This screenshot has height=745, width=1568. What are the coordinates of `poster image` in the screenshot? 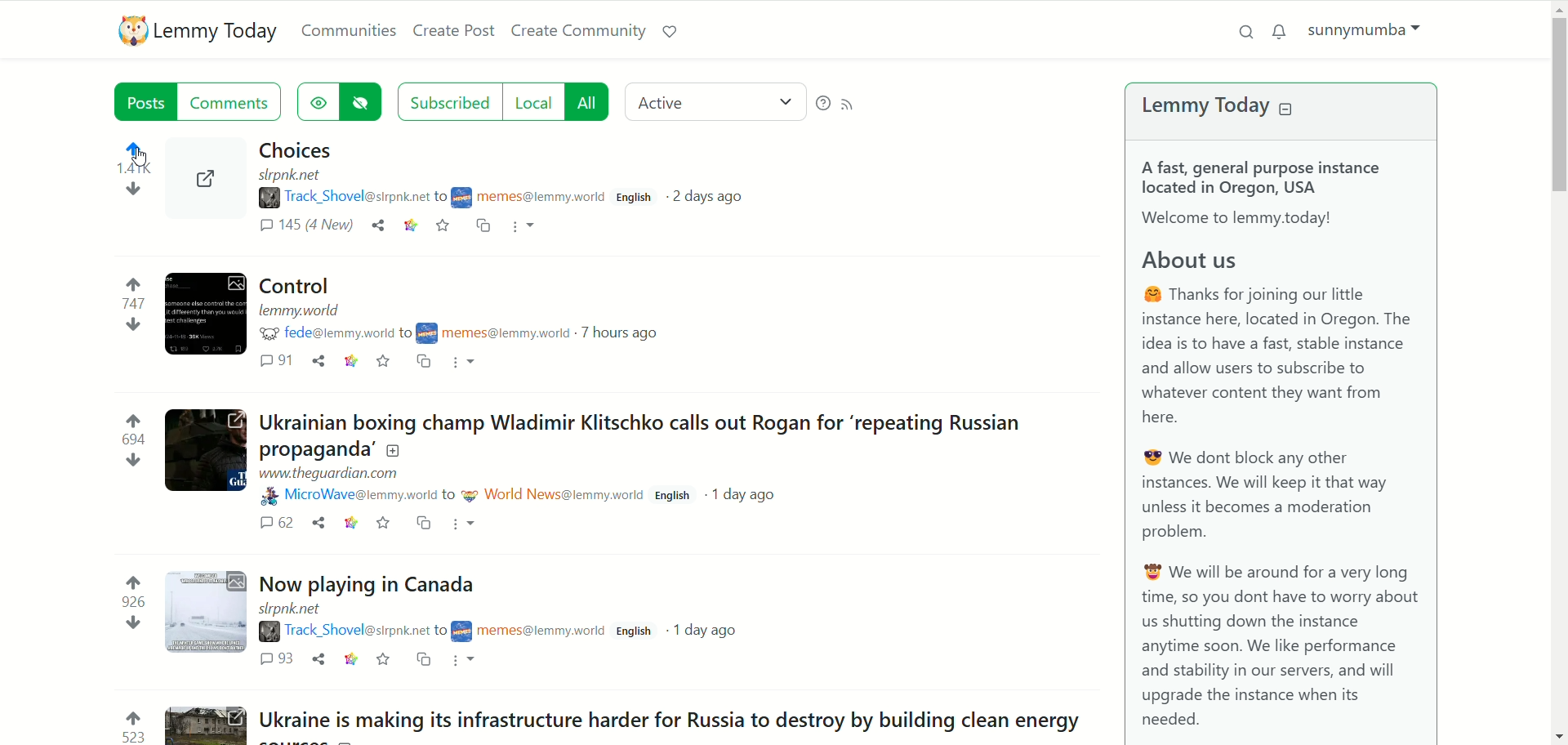 It's located at (265, 332).